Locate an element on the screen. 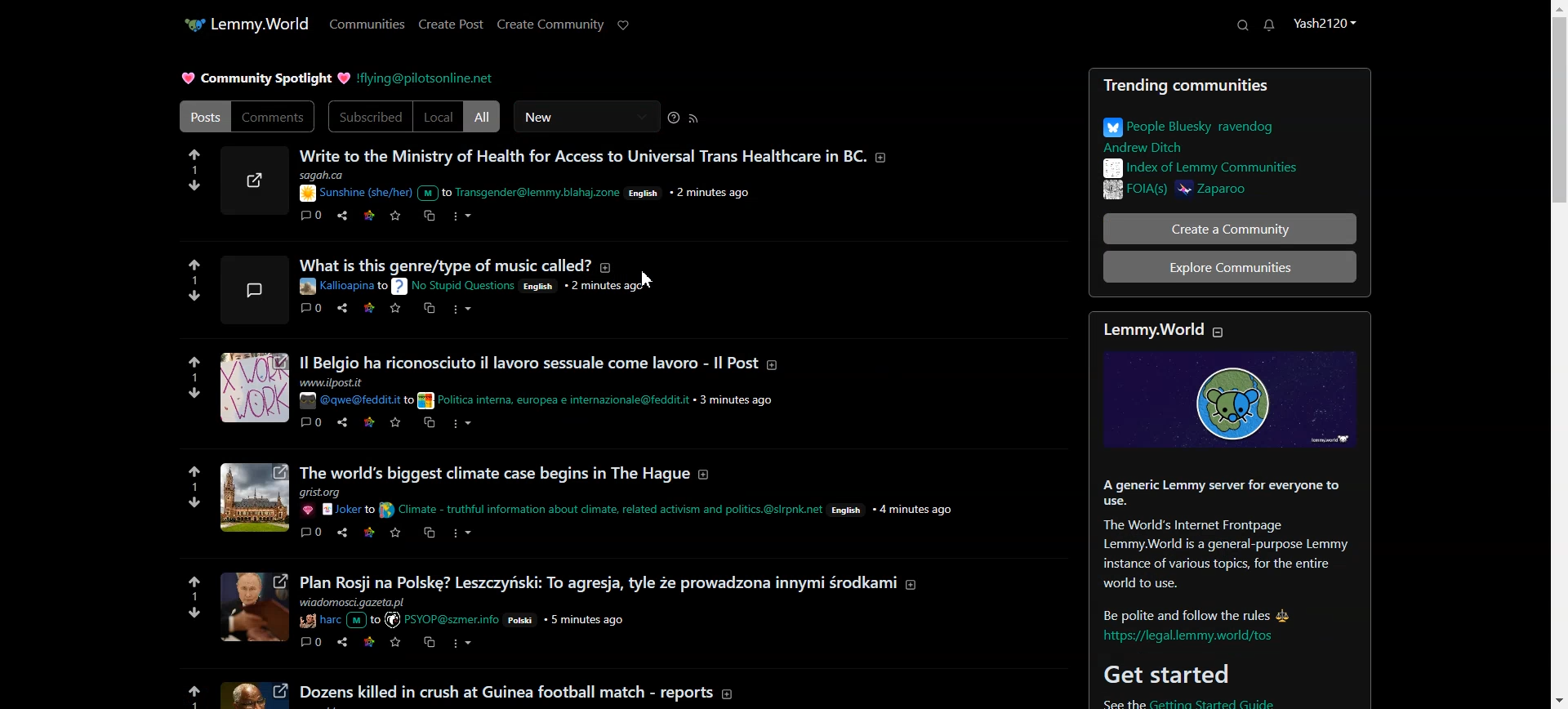 The width and height of the screenshot is (1568, 709). Link is located at coordinates (369, 215).